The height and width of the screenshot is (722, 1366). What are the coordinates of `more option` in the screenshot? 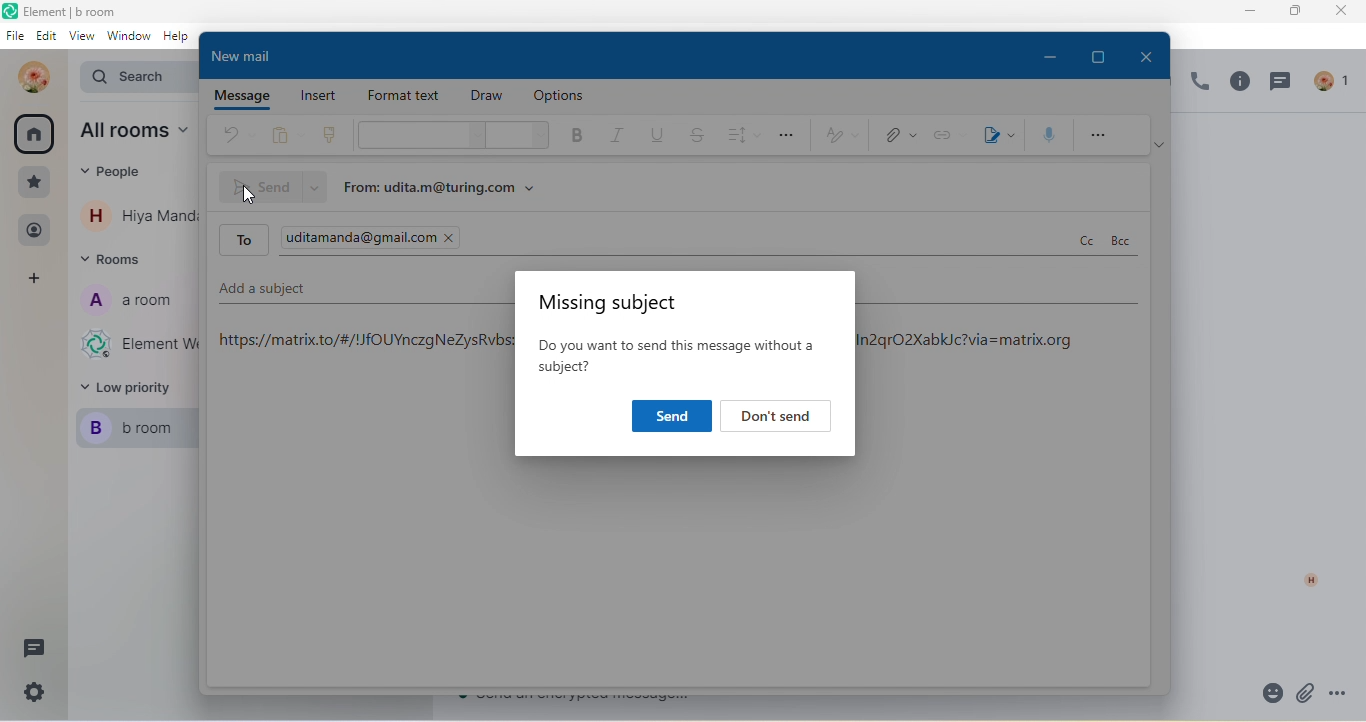 It's located at (1100, 135).